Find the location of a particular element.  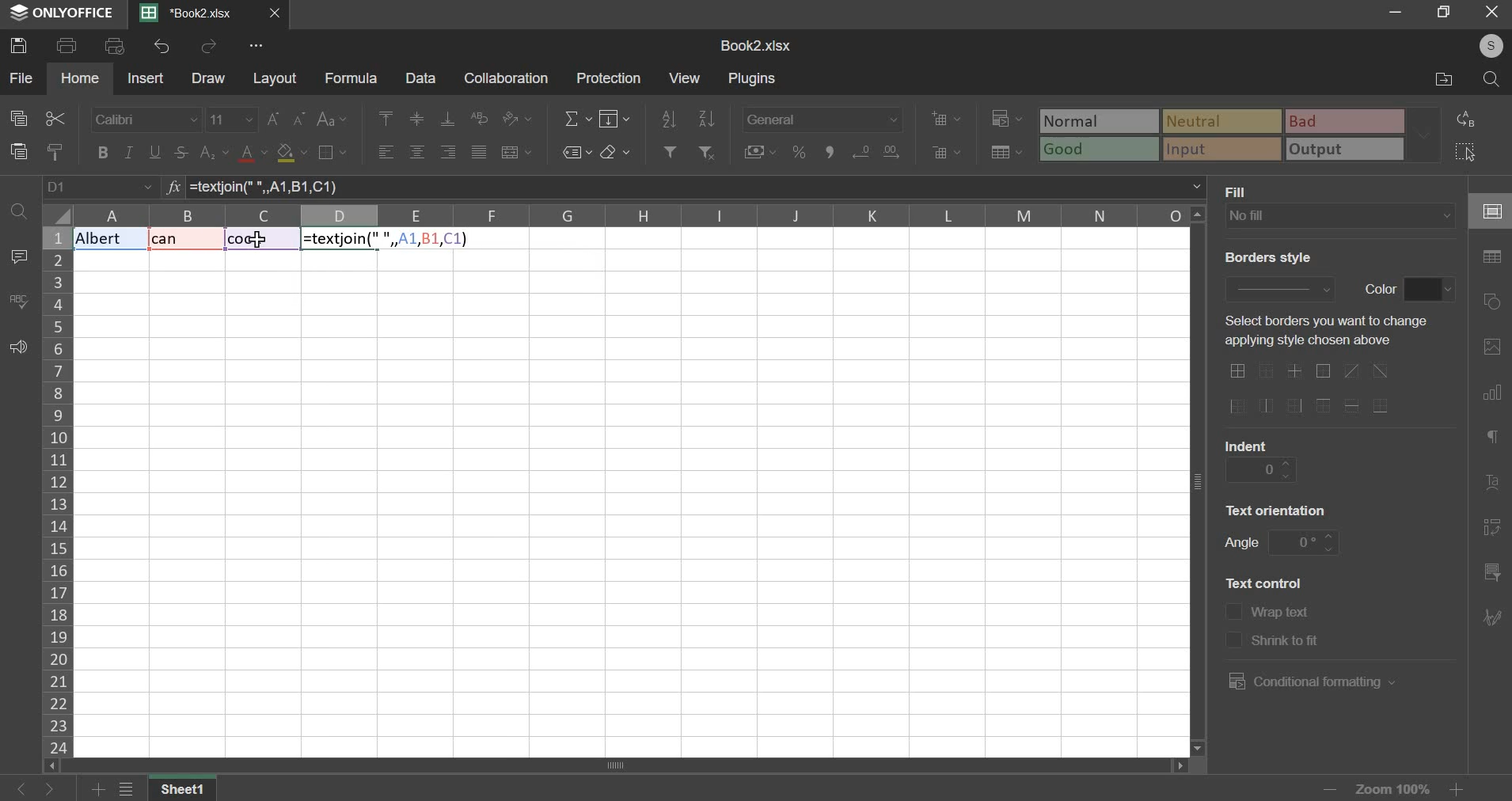

view is located at coordinates (684, 77).